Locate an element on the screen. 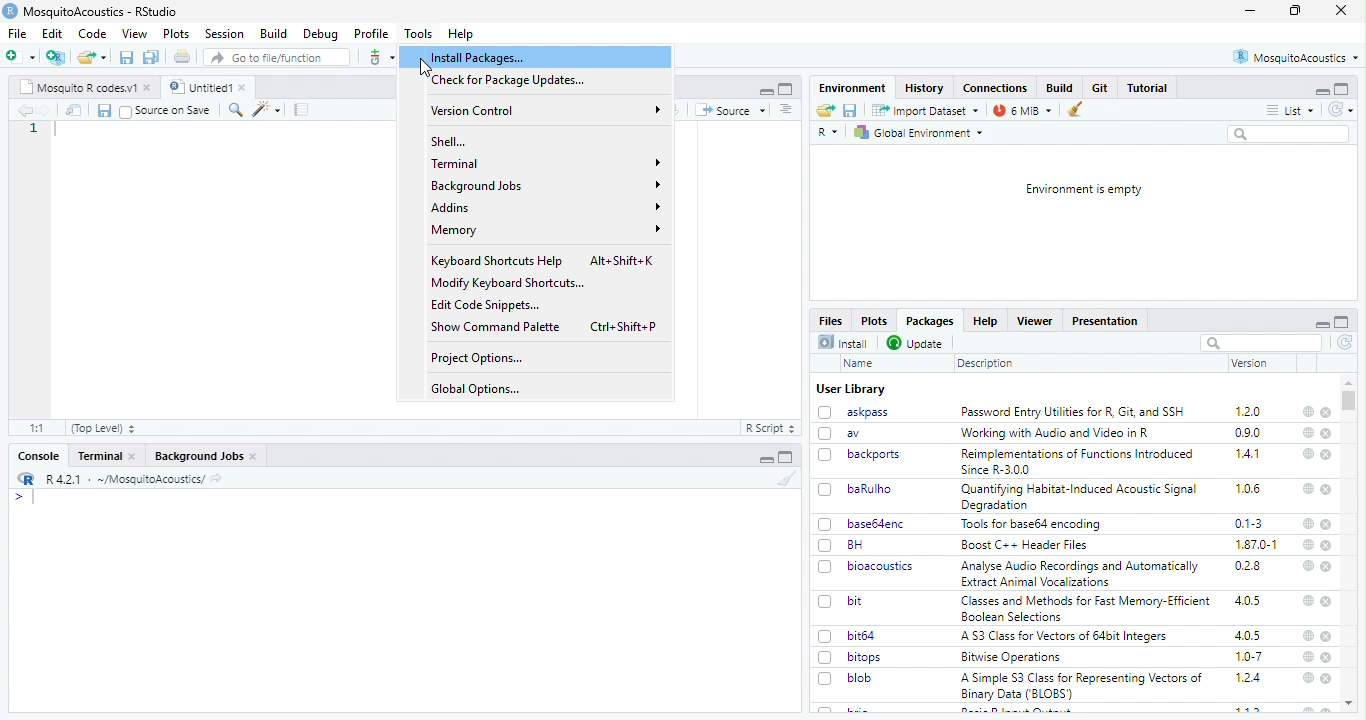 The width and height of the screenshot is (1366, 720). tool is located at coordinates (380, 57).